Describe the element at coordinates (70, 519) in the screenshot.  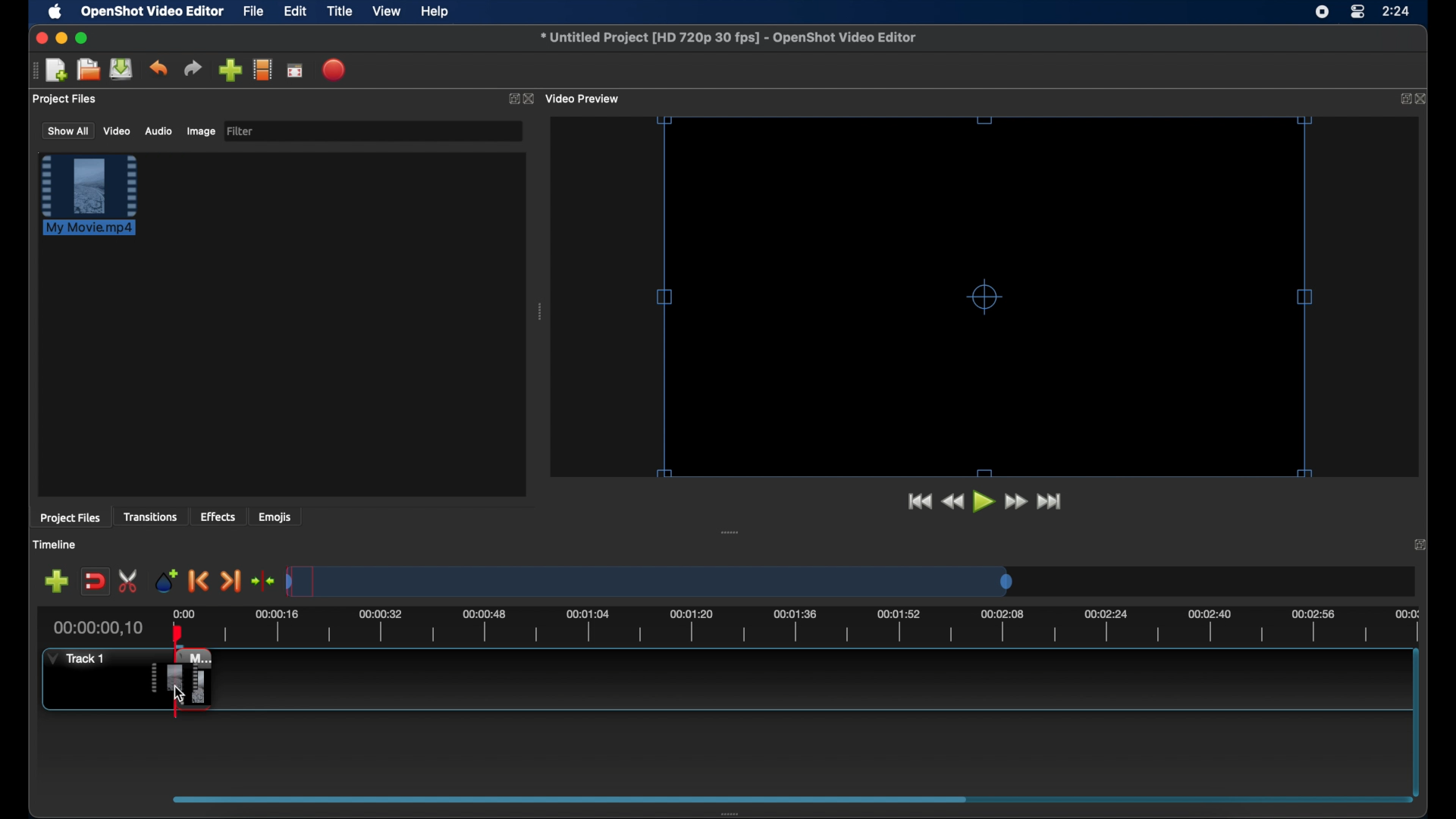
I see `project files` at that location.